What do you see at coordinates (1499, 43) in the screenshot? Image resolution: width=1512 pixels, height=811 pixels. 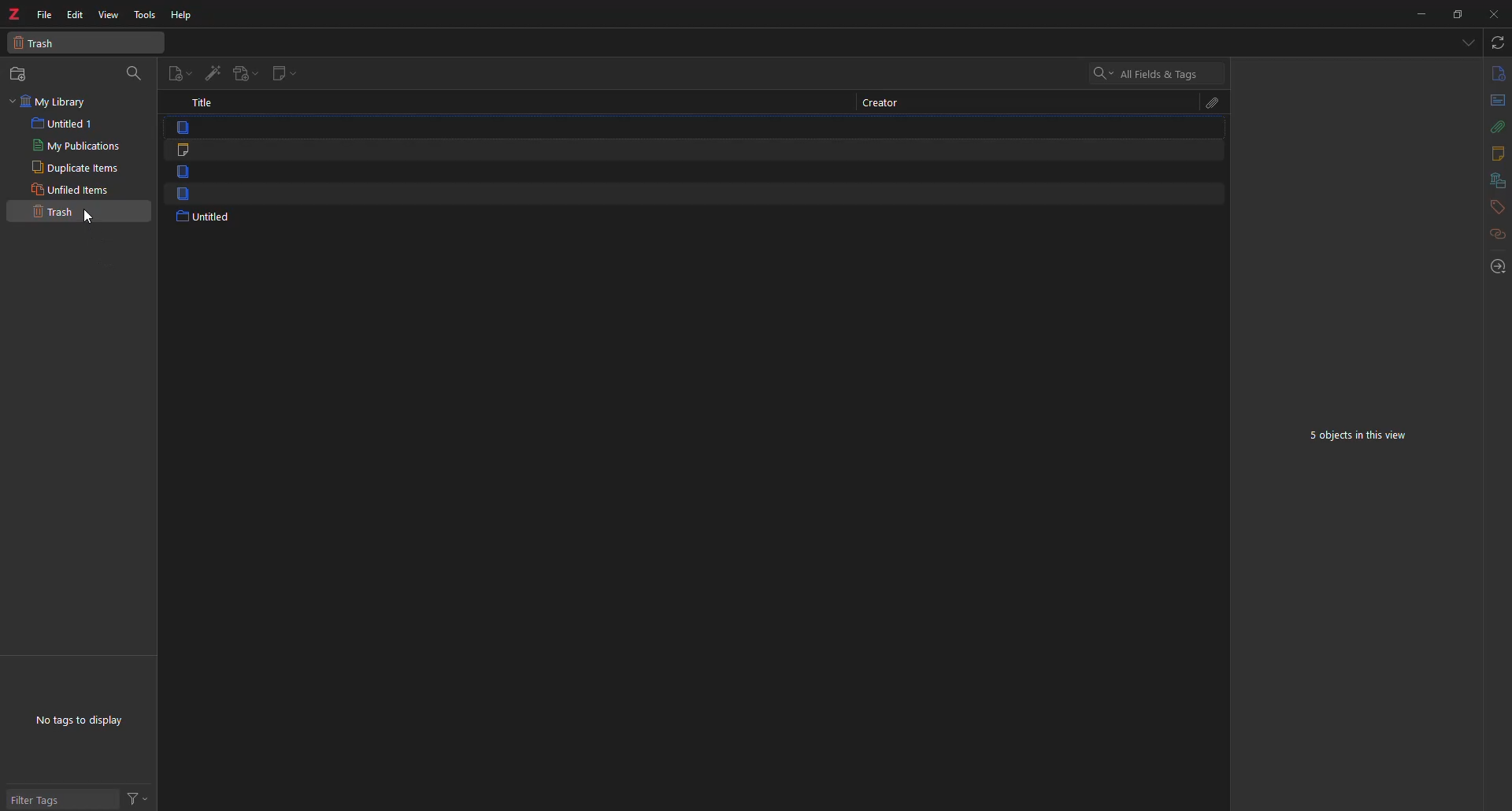 I see `sync` at bounding box center [1499, 43].